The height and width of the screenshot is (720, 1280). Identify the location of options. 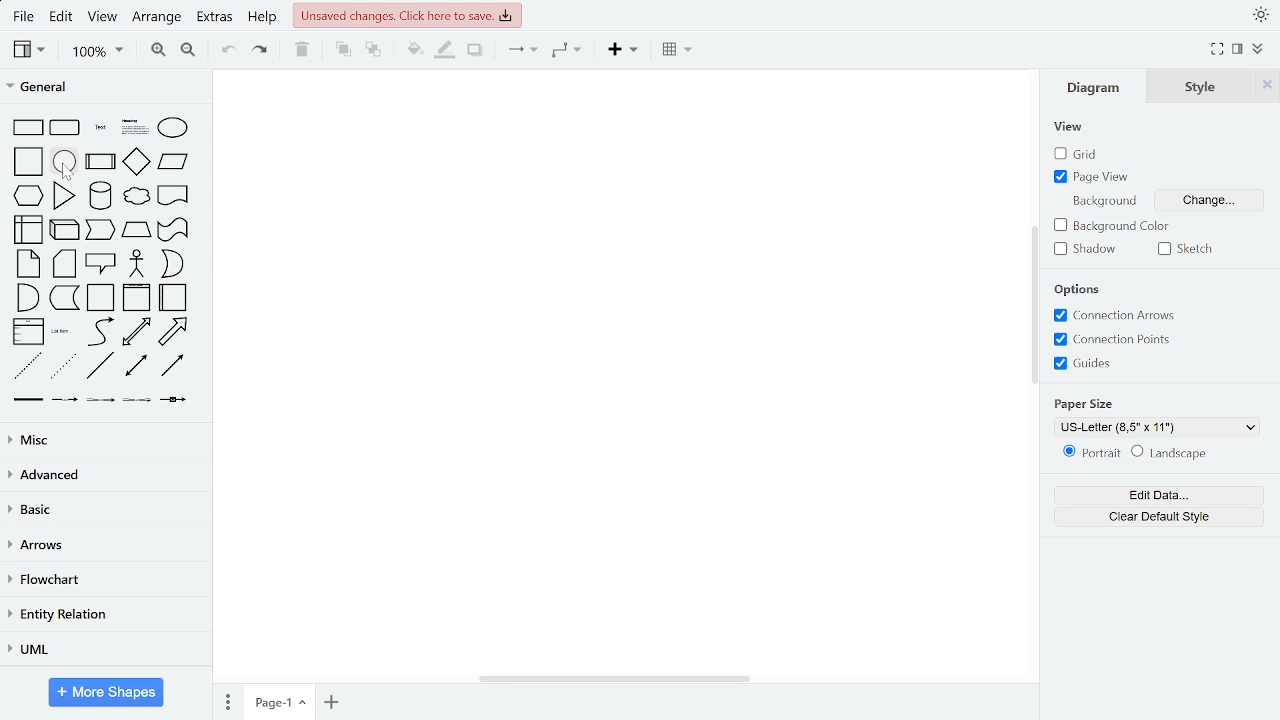
(1078, 290).